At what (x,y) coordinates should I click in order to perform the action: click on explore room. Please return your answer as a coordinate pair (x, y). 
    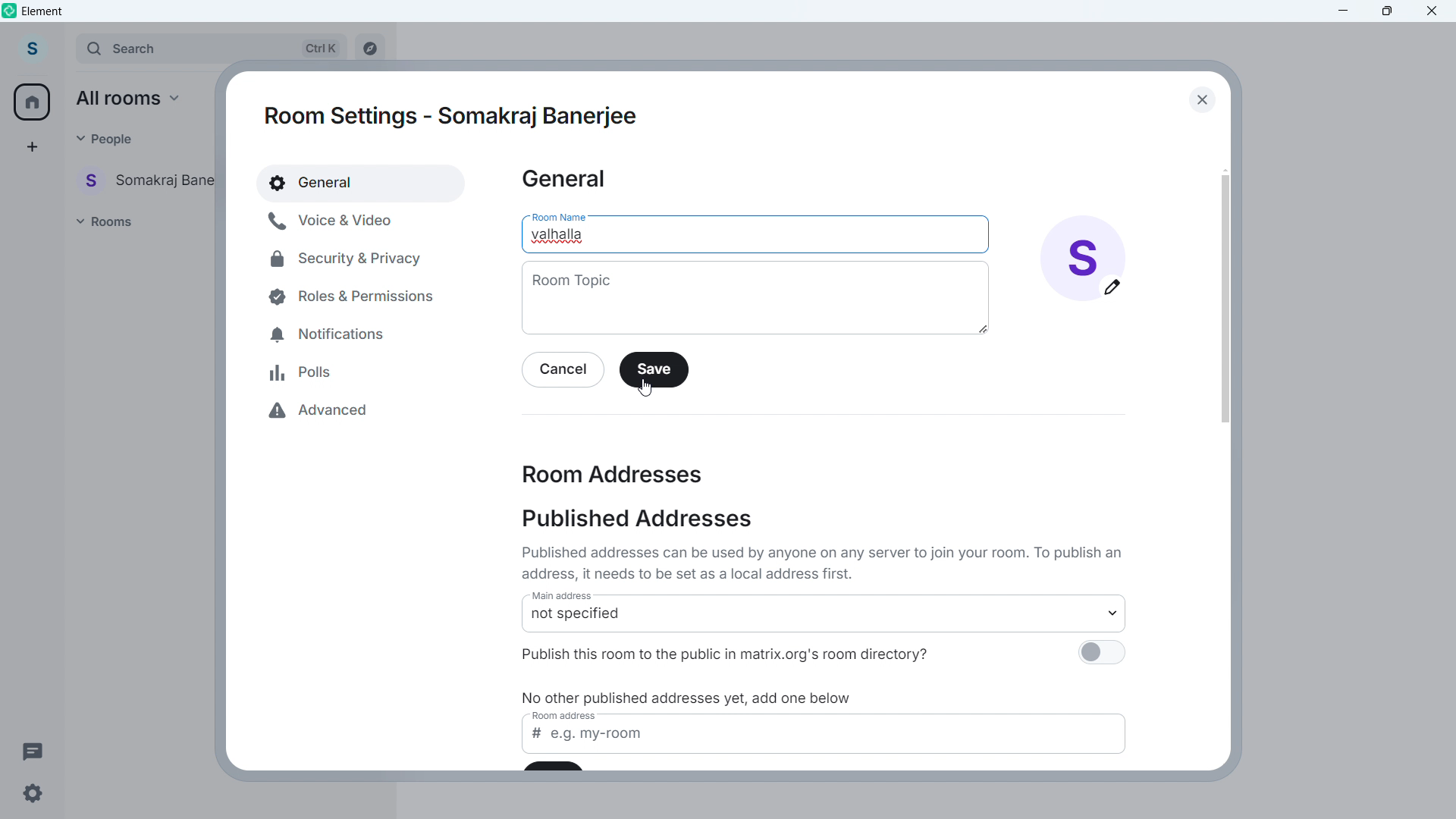
    Looking at the image, I should click on (375, 45).